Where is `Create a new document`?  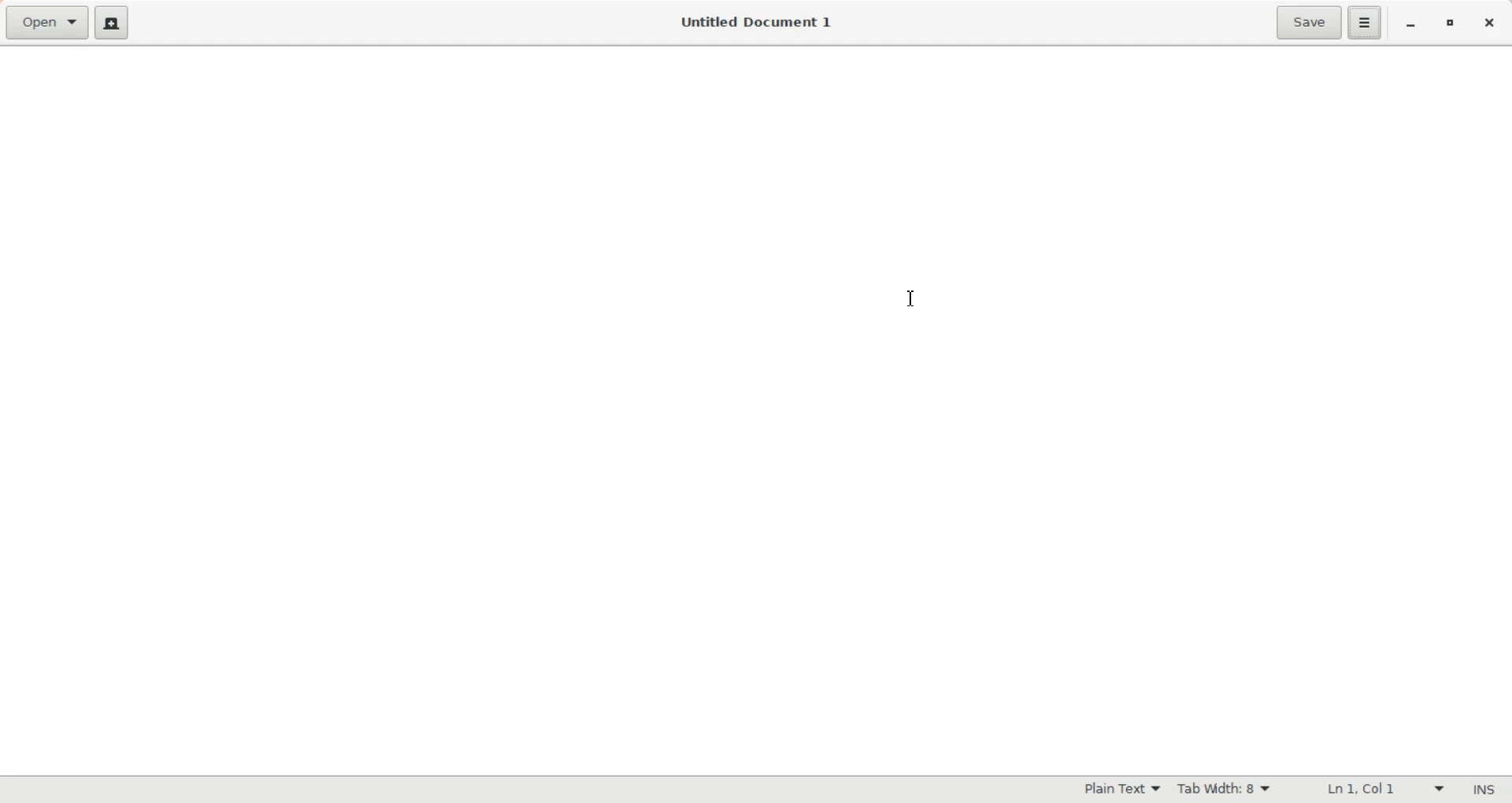
Create a new document is located at coordinates (111, 22).